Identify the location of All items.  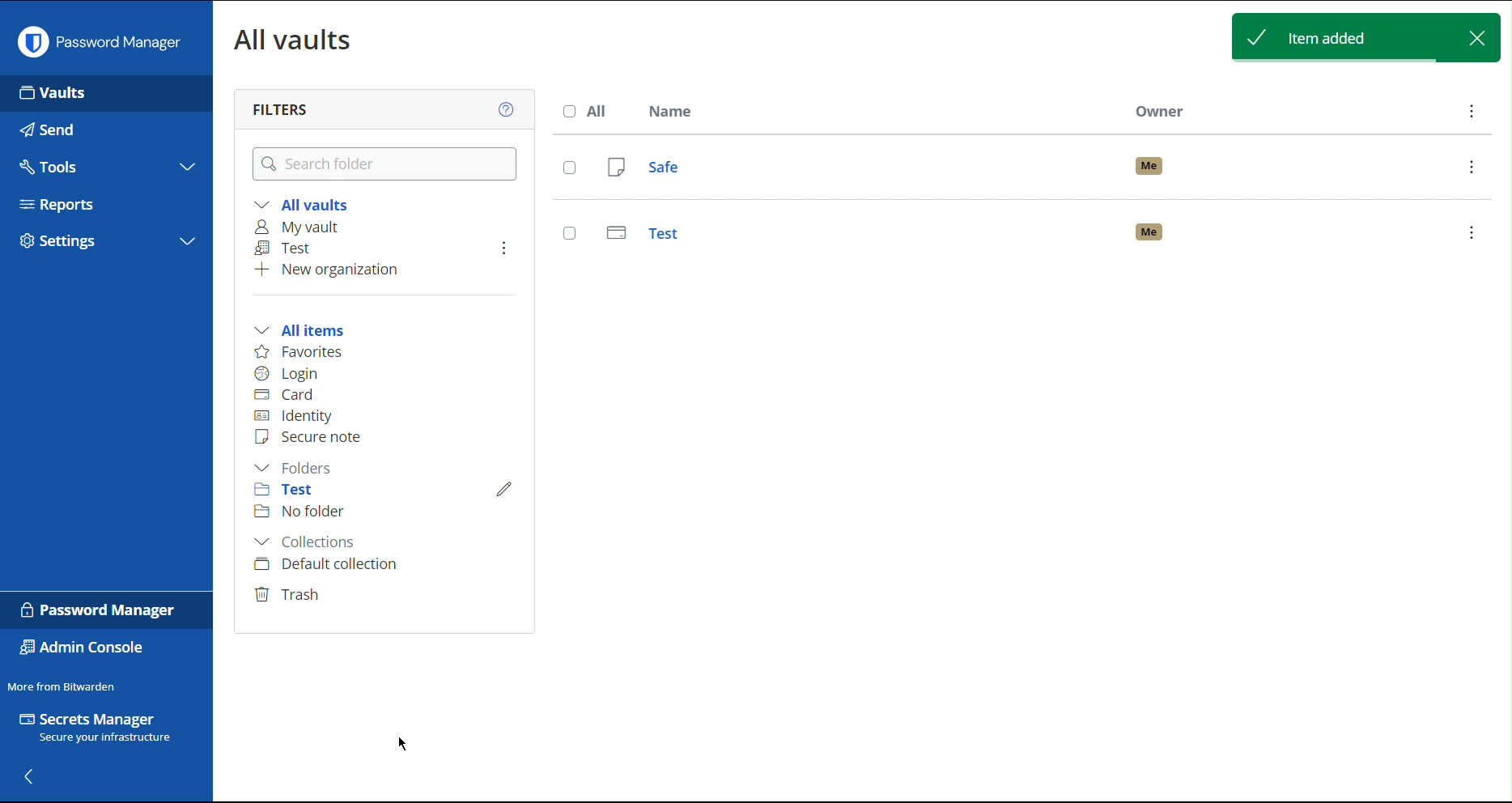
(304, 328).